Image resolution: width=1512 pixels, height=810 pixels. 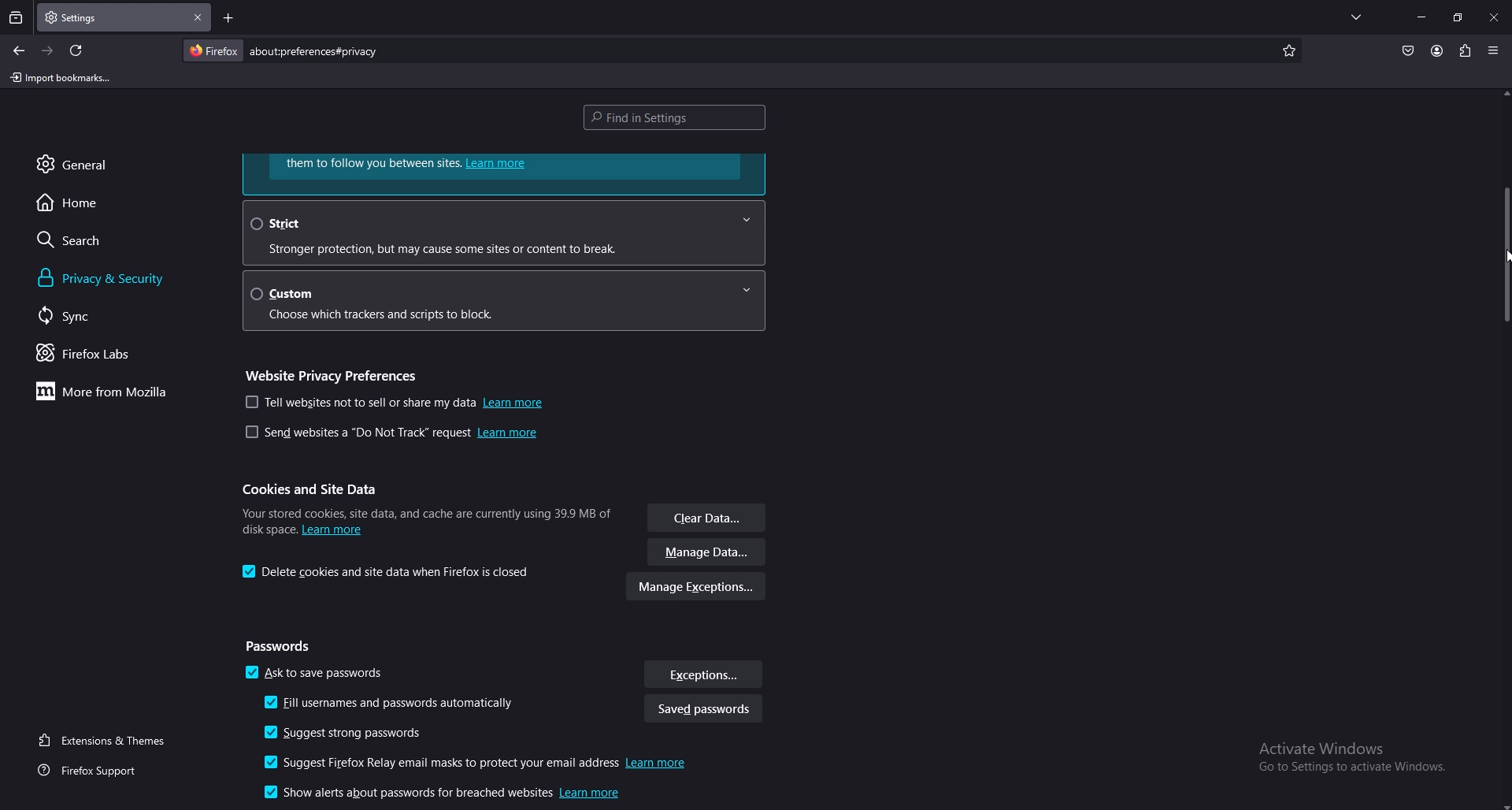 What do you see at coordinates (1356, 17) in the screenshot?
I see `list all tabs` at bounding box center [1356, 17].